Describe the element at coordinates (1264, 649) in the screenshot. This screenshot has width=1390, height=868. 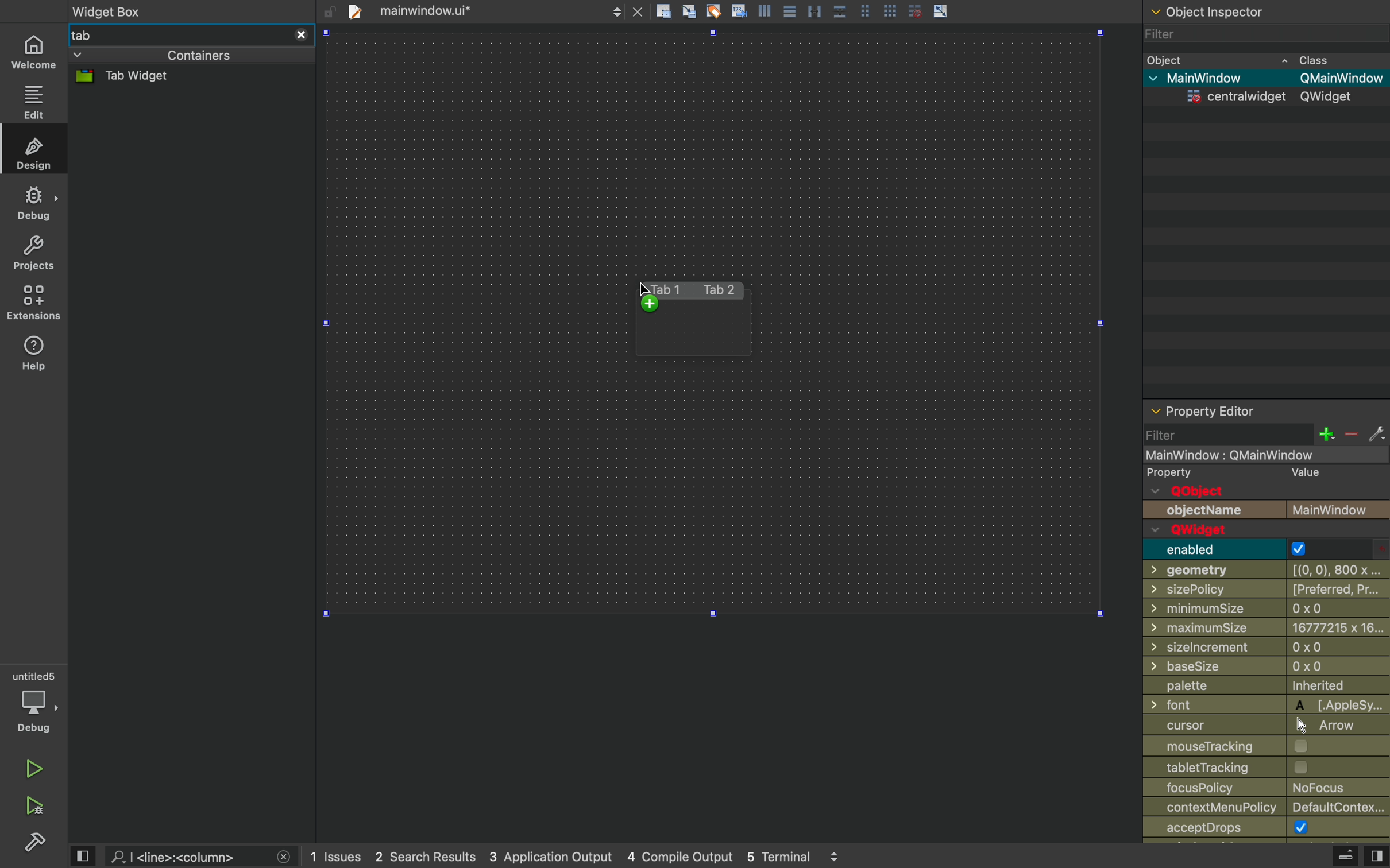
I see `` at that location.